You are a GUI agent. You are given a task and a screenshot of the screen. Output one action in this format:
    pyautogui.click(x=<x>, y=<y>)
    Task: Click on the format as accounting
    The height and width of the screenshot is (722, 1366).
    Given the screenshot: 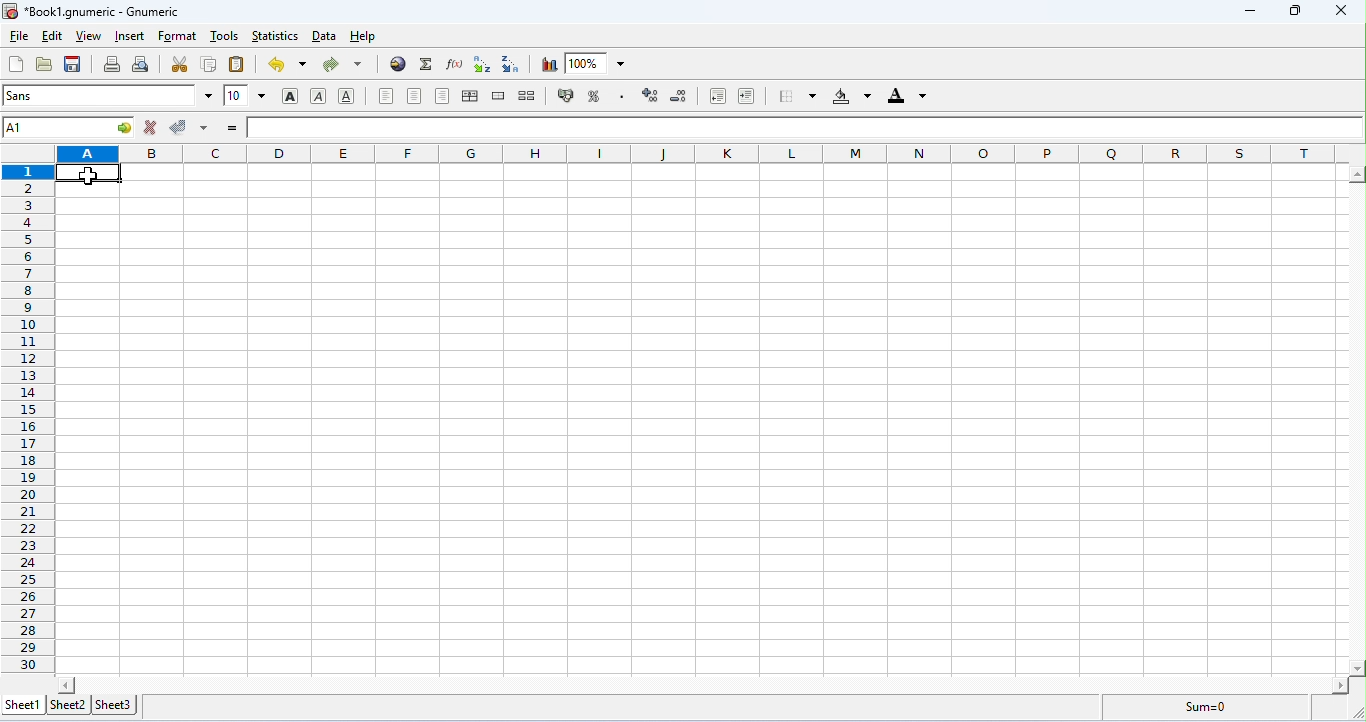 What is the action you would take?
    pyautogui.click(x=567, y=95)
    